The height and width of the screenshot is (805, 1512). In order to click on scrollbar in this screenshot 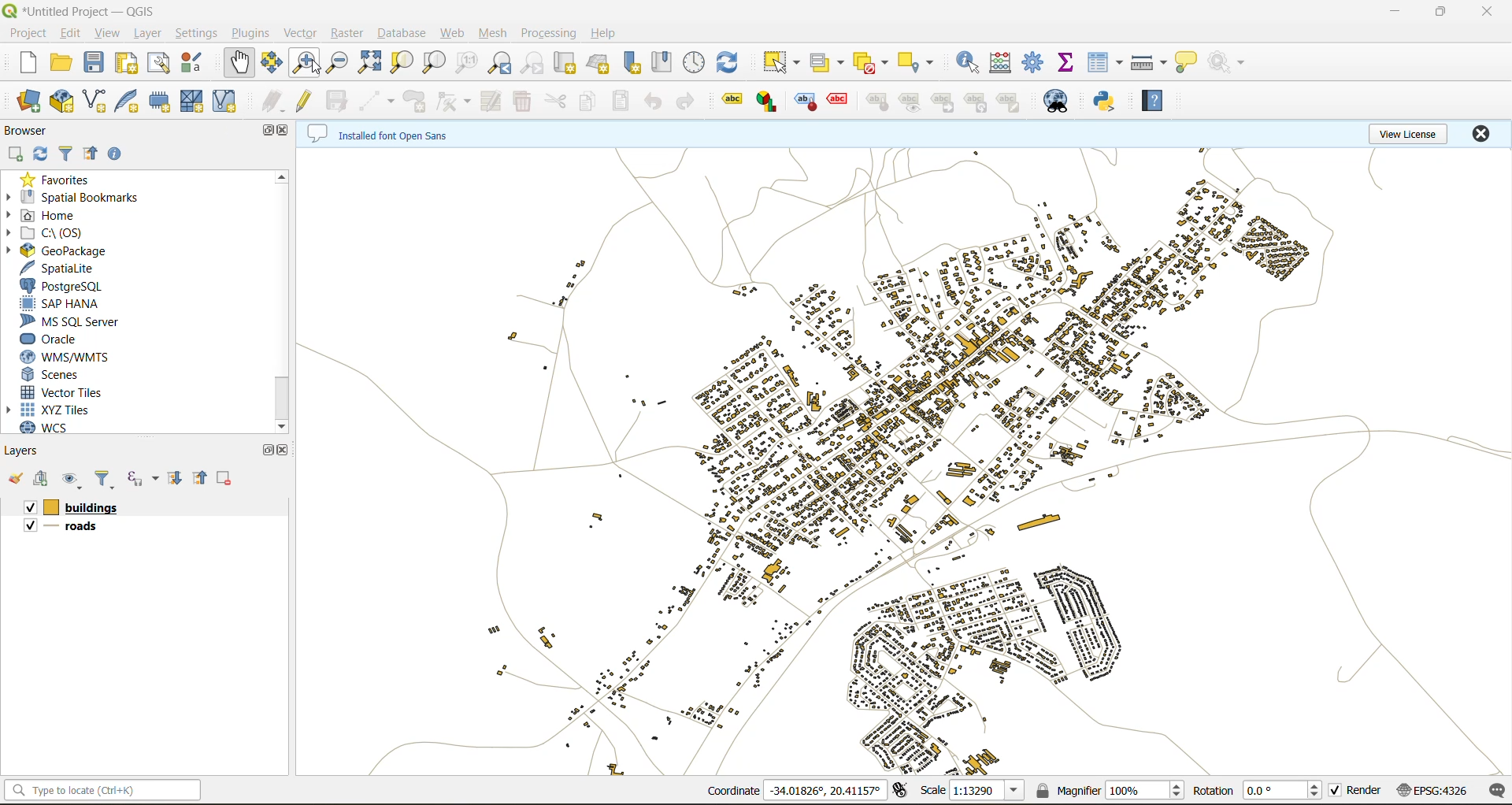, I will do `click(277, 395)`.